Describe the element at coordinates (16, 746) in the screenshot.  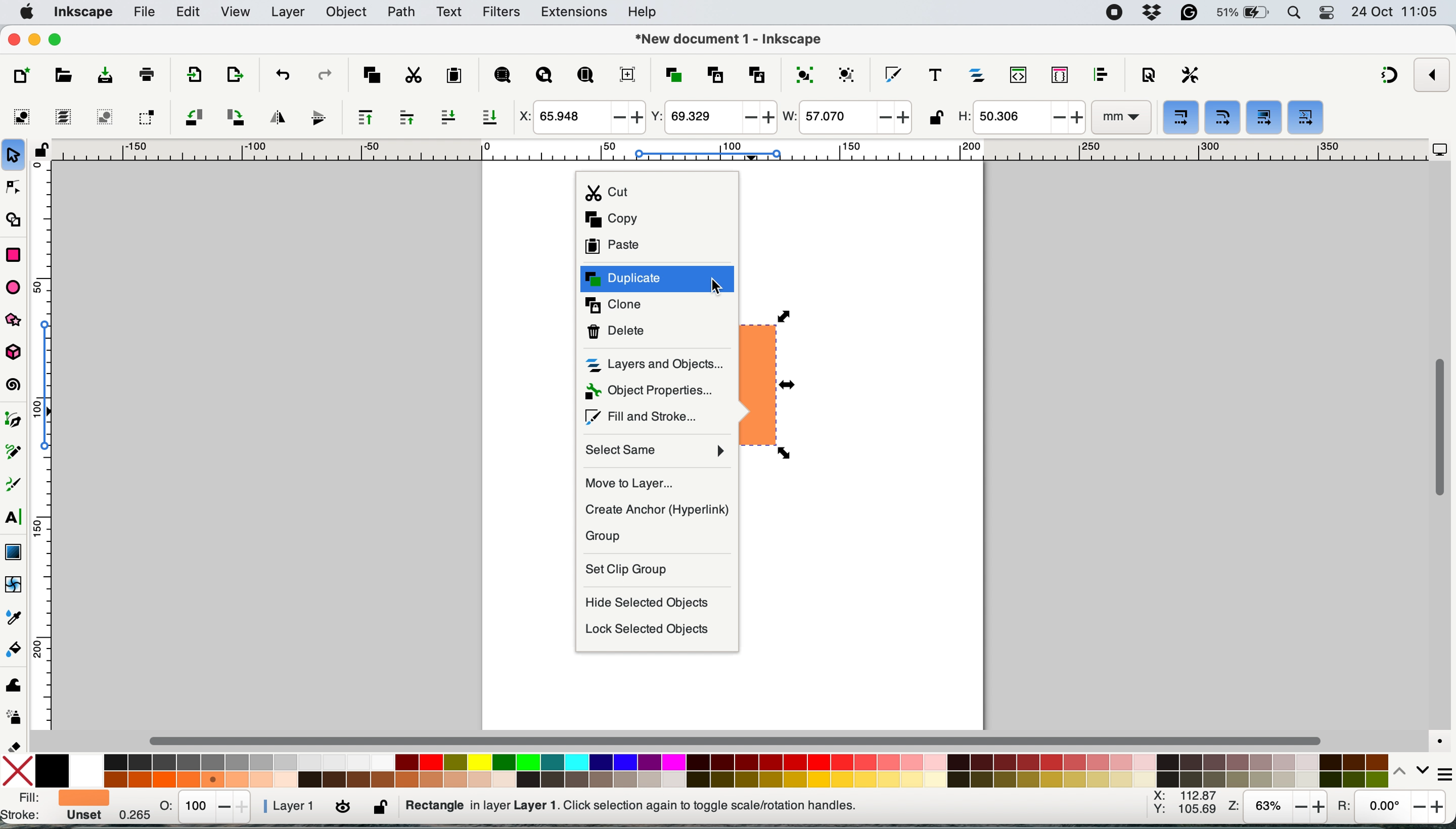
I see `erase tool` at that location.